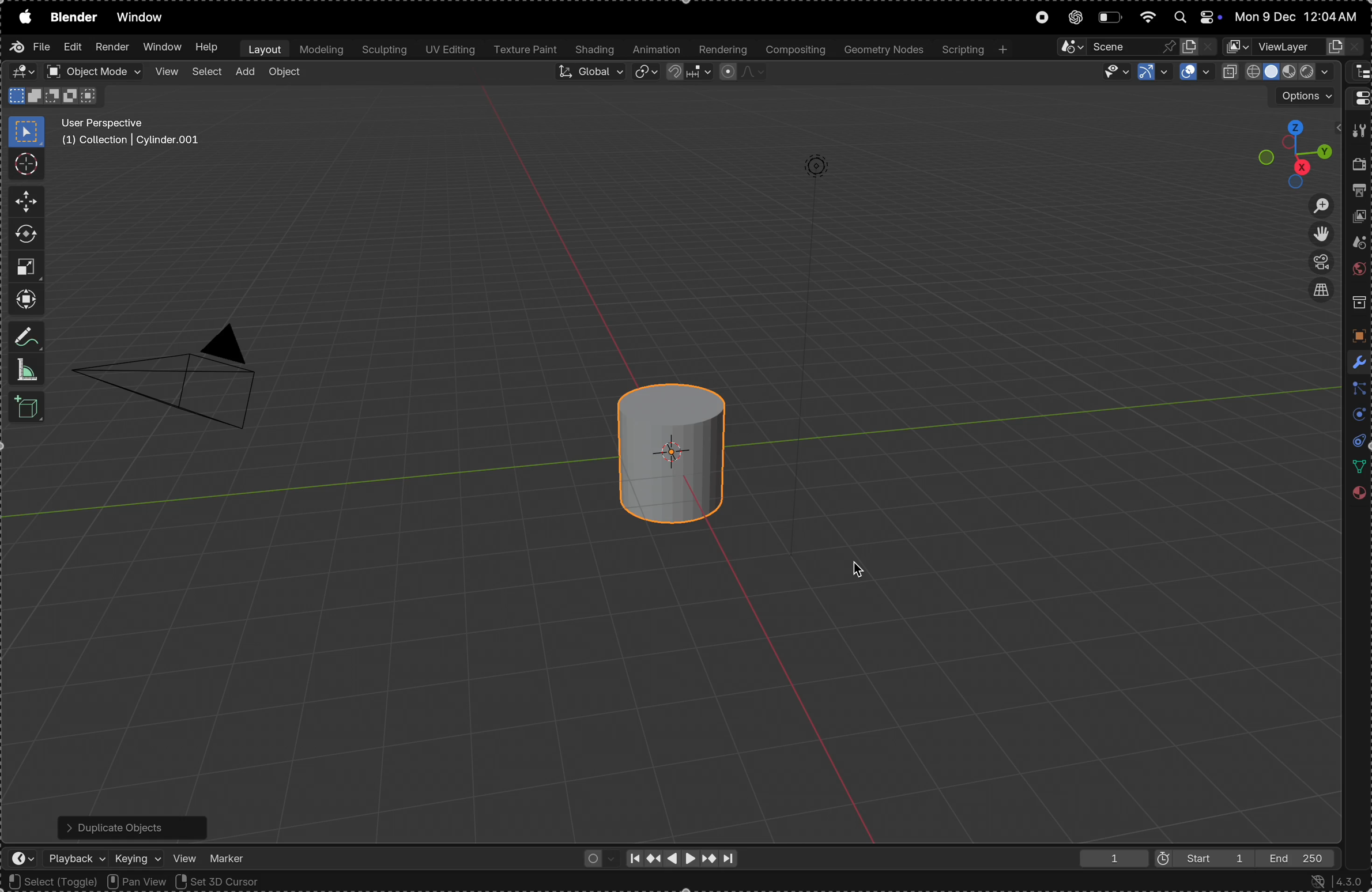 This screenshot has height=892, width=1372. Describe the element at coordinates (1320, 294) in the screenshot. I see `select current views` at that location.